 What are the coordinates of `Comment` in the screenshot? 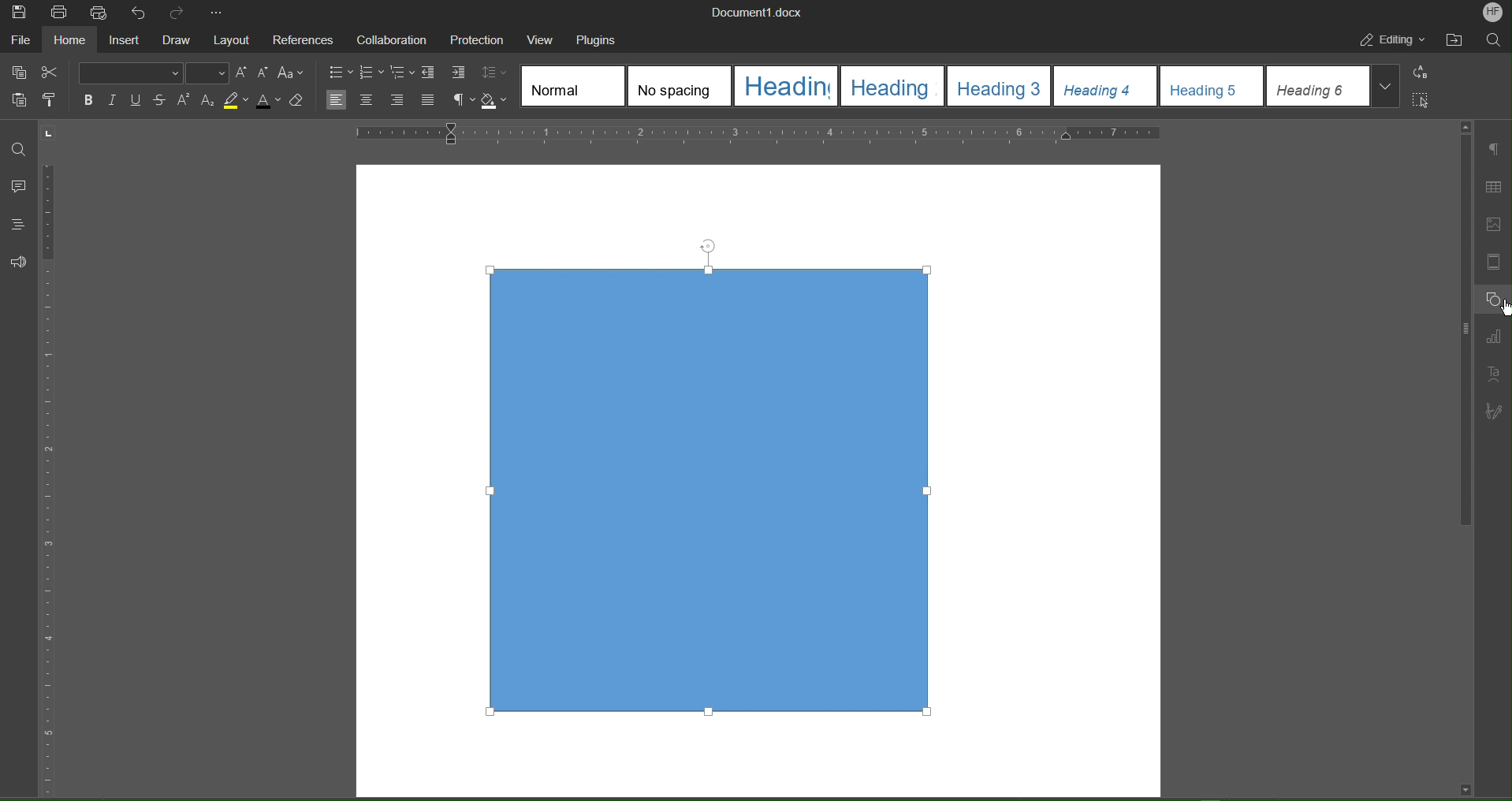 It's located at (18, 185).